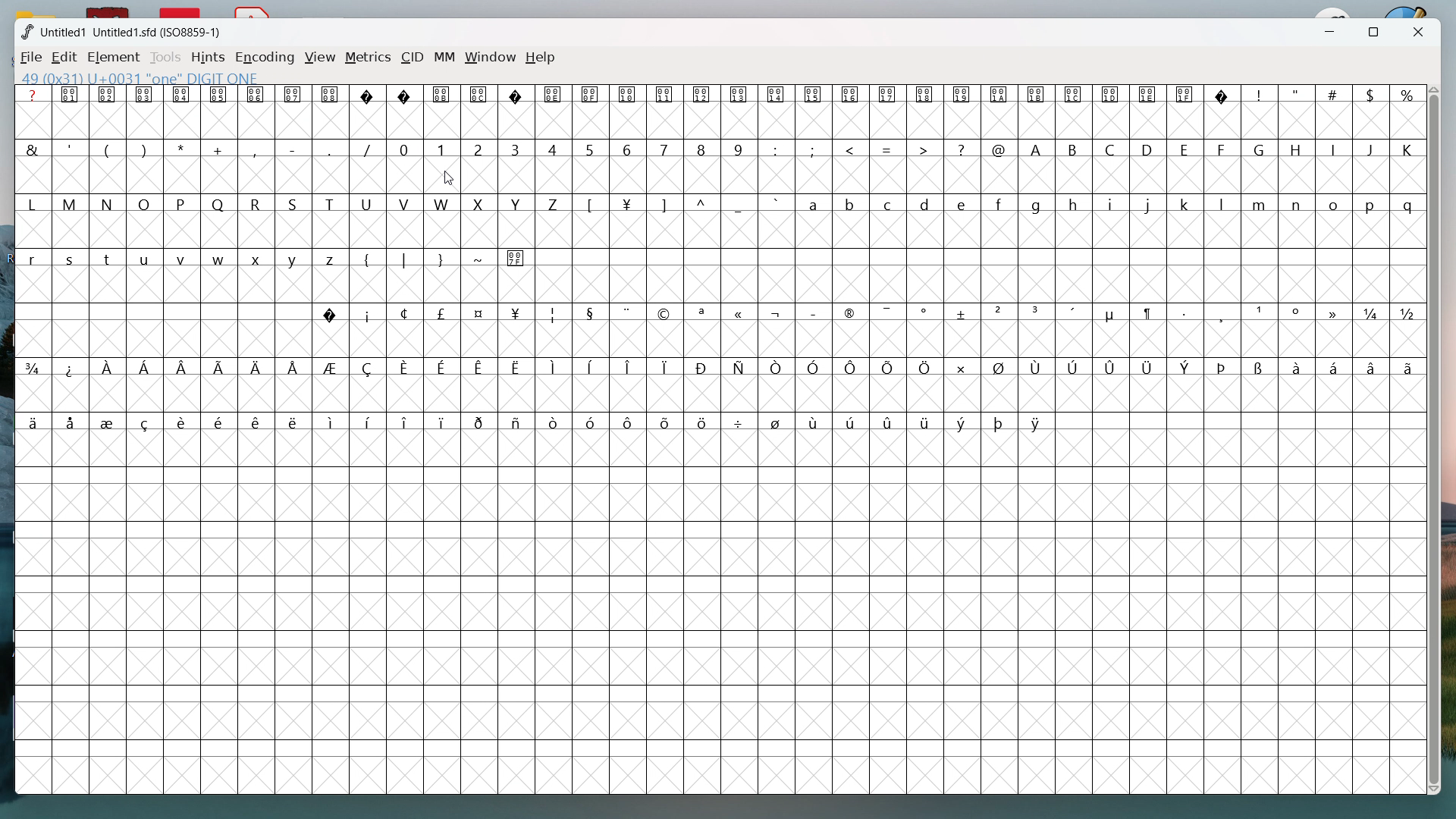 This screenshot has width=1456, height=819. Describe the element at coordinates (1000, 148) in the screenshot. I see `@` at that location.